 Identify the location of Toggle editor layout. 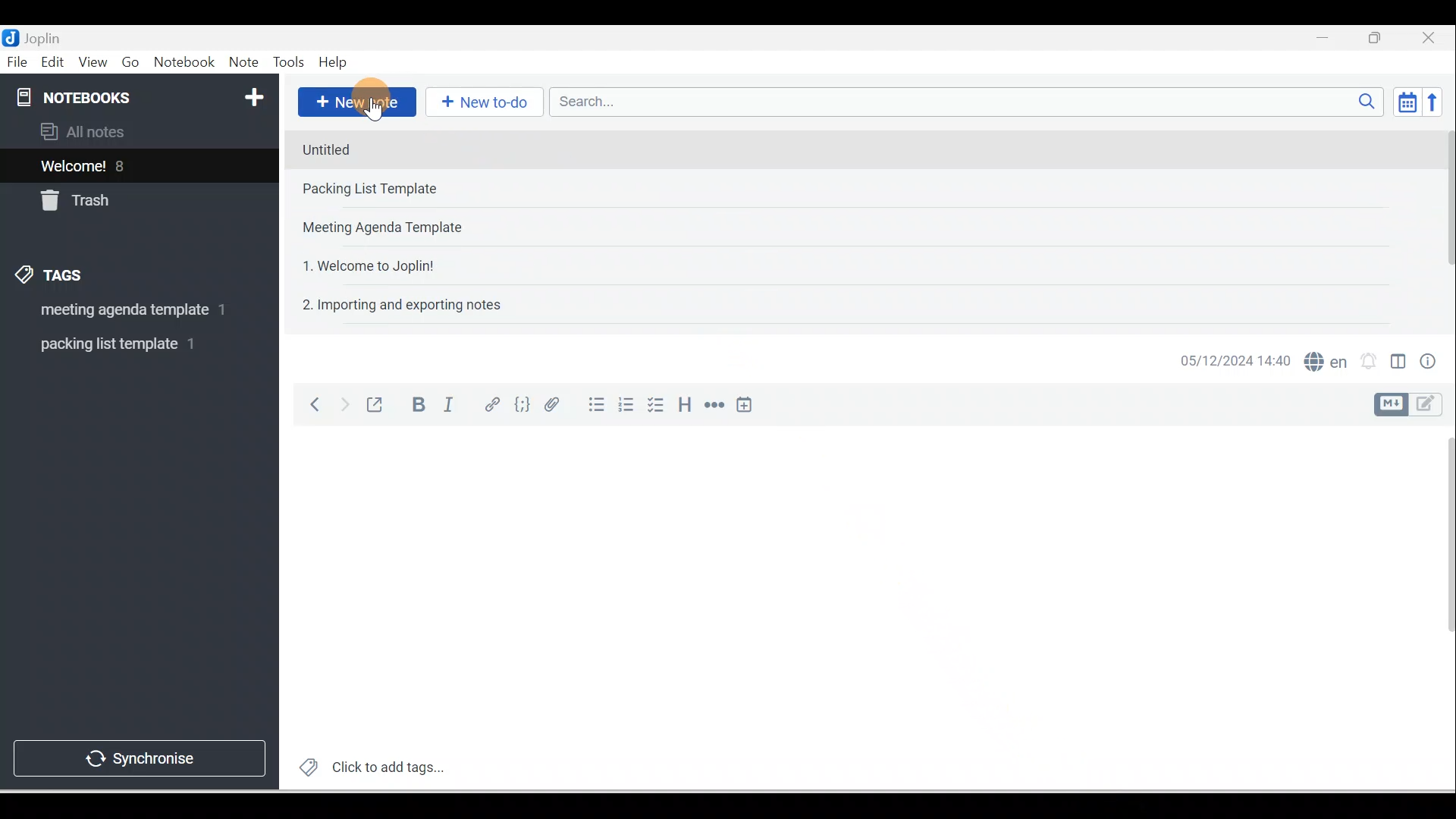
(1414, 405).